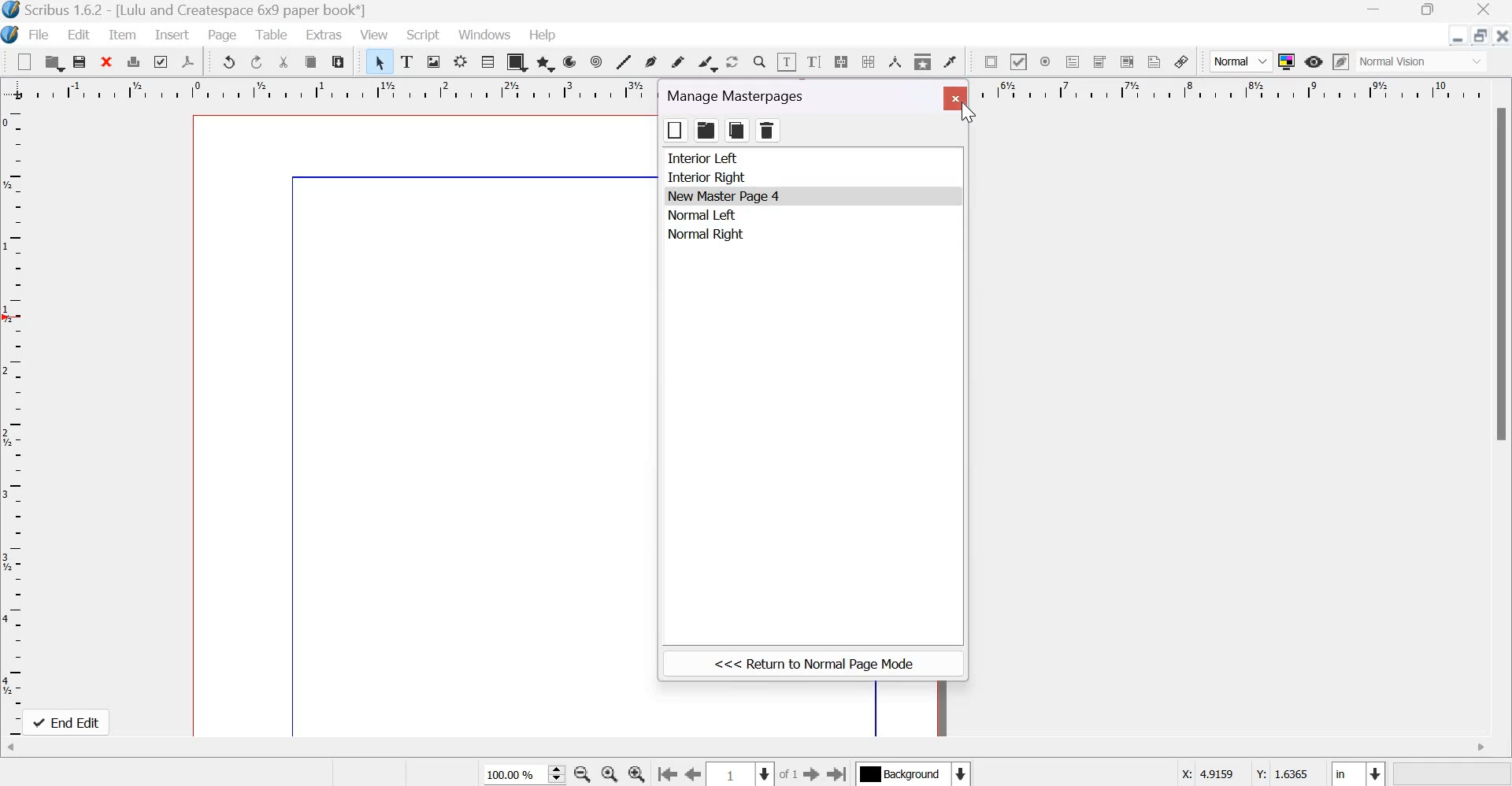 The image size is (1512, 786). I want to click on Eye dropper, so click(949, 62).